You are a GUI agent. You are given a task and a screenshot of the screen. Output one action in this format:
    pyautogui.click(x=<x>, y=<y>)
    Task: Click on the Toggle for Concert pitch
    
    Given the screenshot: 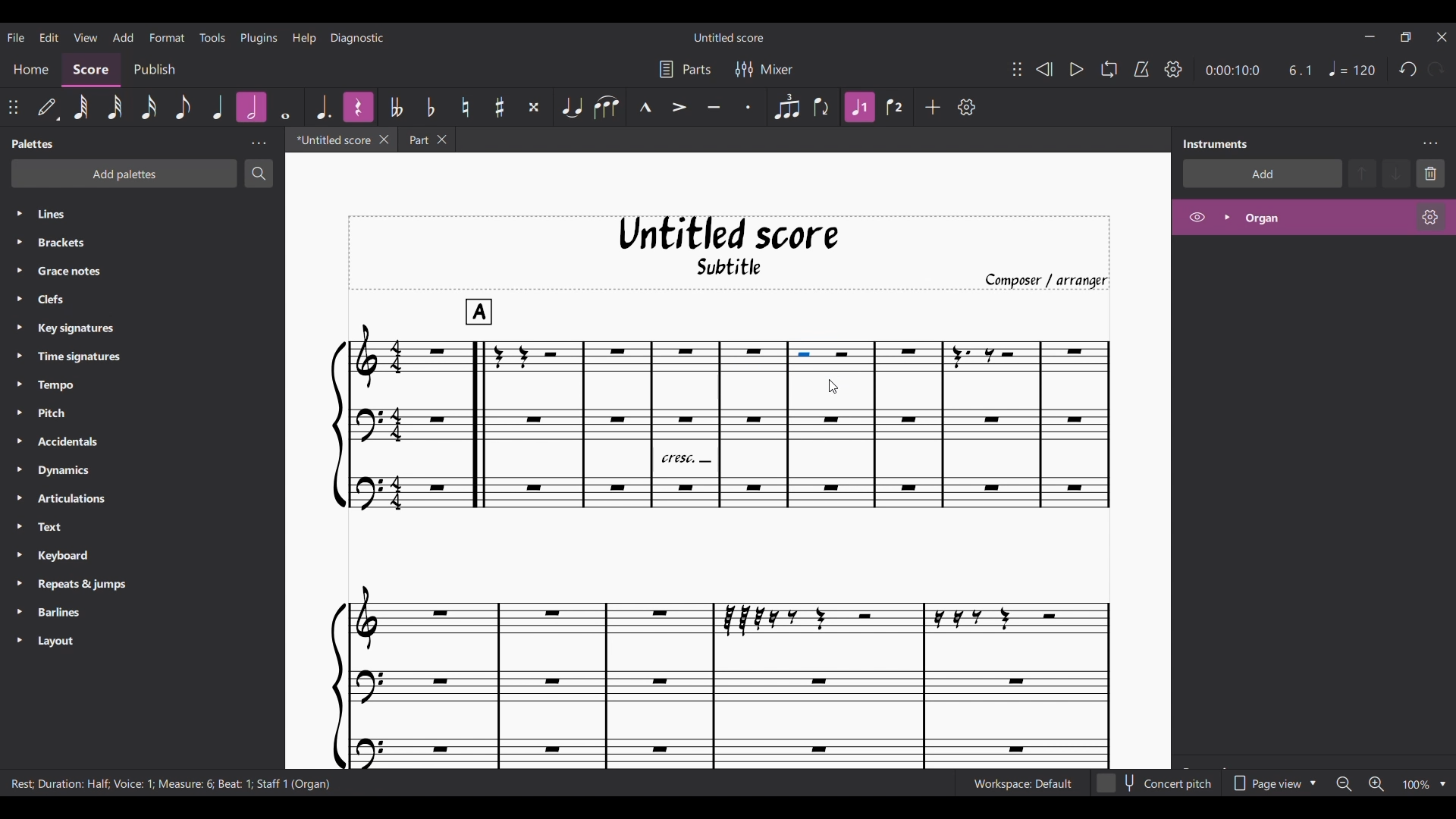 What is the action you would take?
    pyautogui.click(x=1156, y=783)
    